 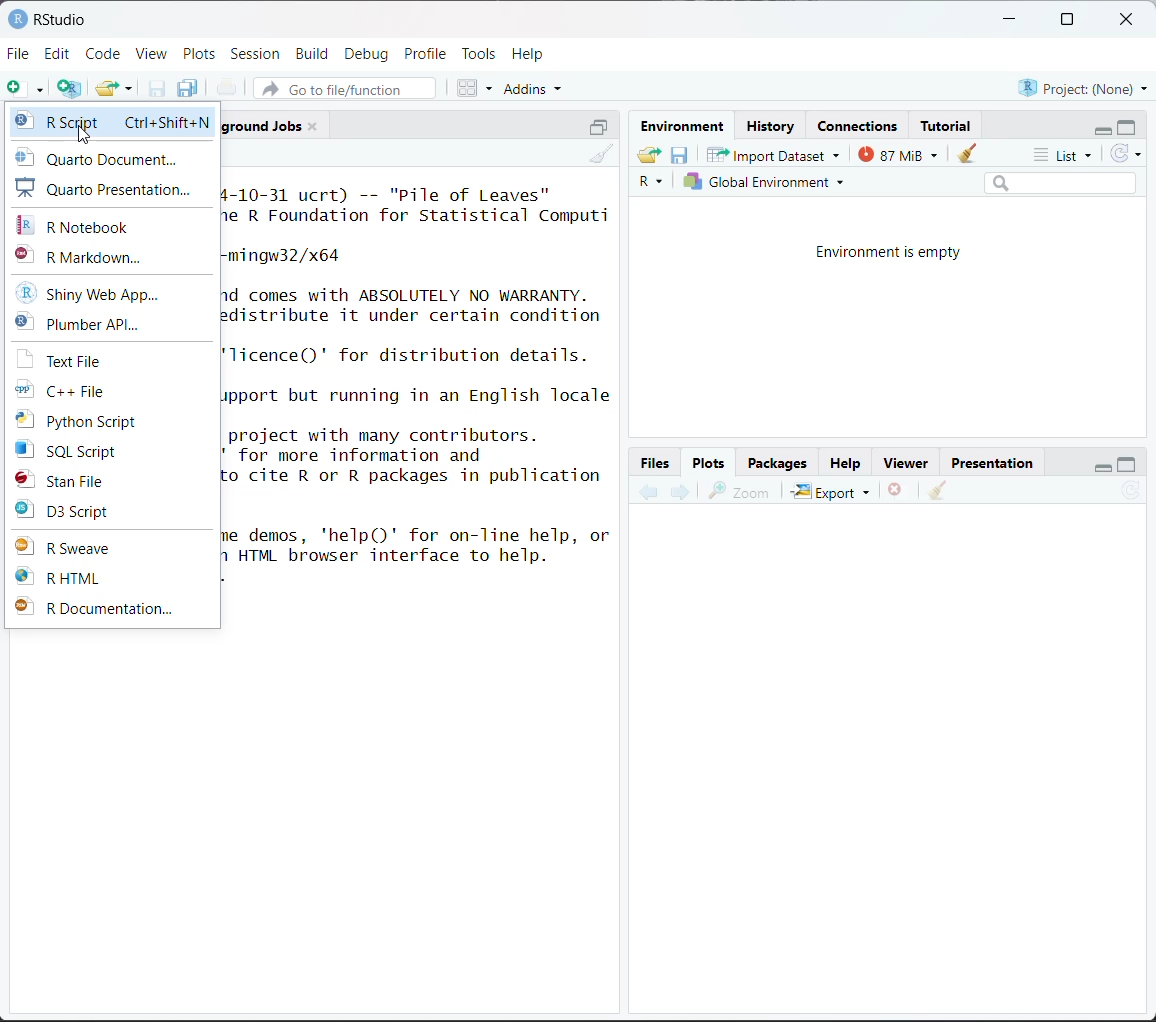 I want to click on minimize, so click(x=1099, y=464).